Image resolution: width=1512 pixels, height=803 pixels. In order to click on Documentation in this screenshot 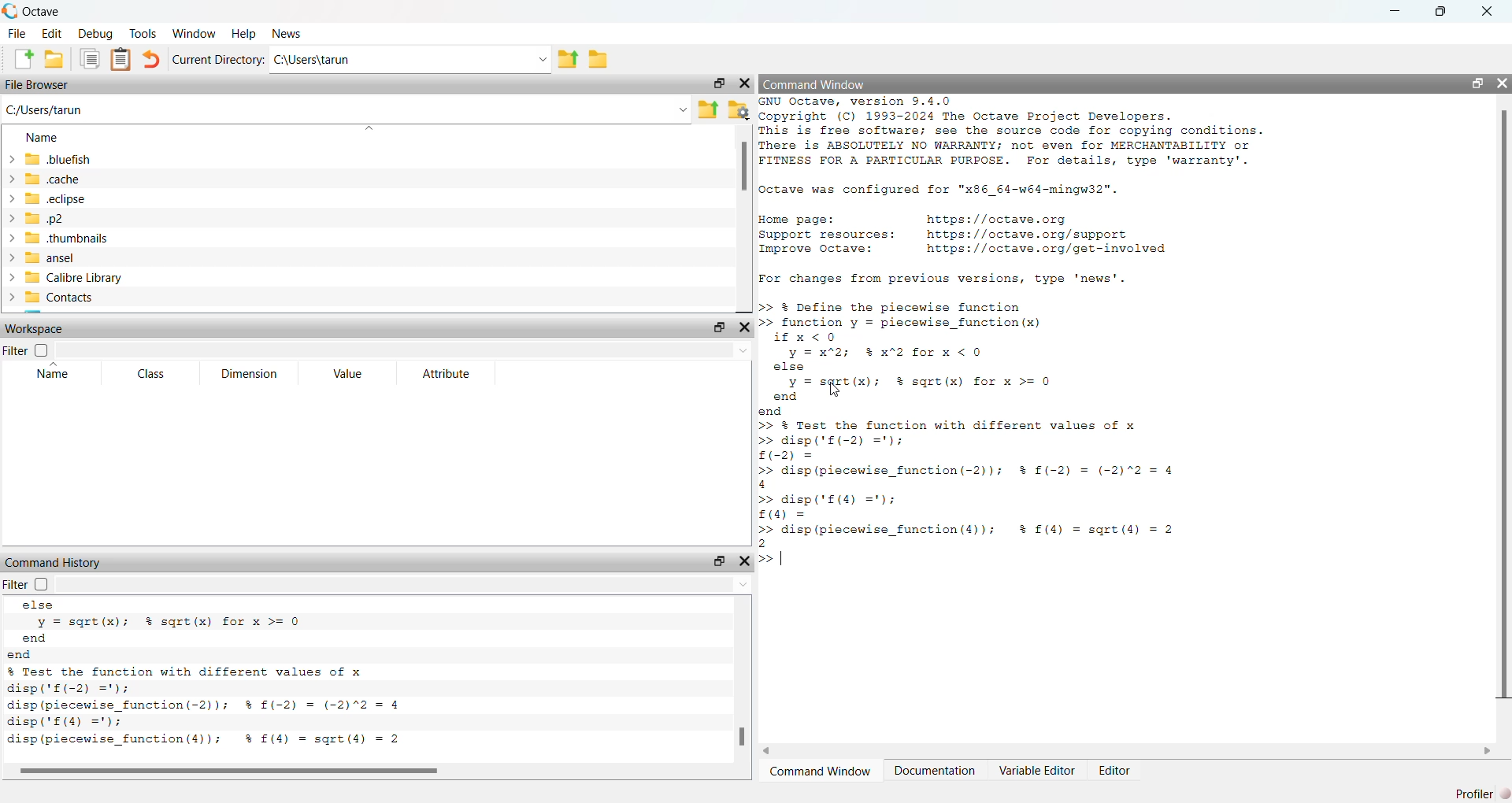, I will do `click(937, 769)`.